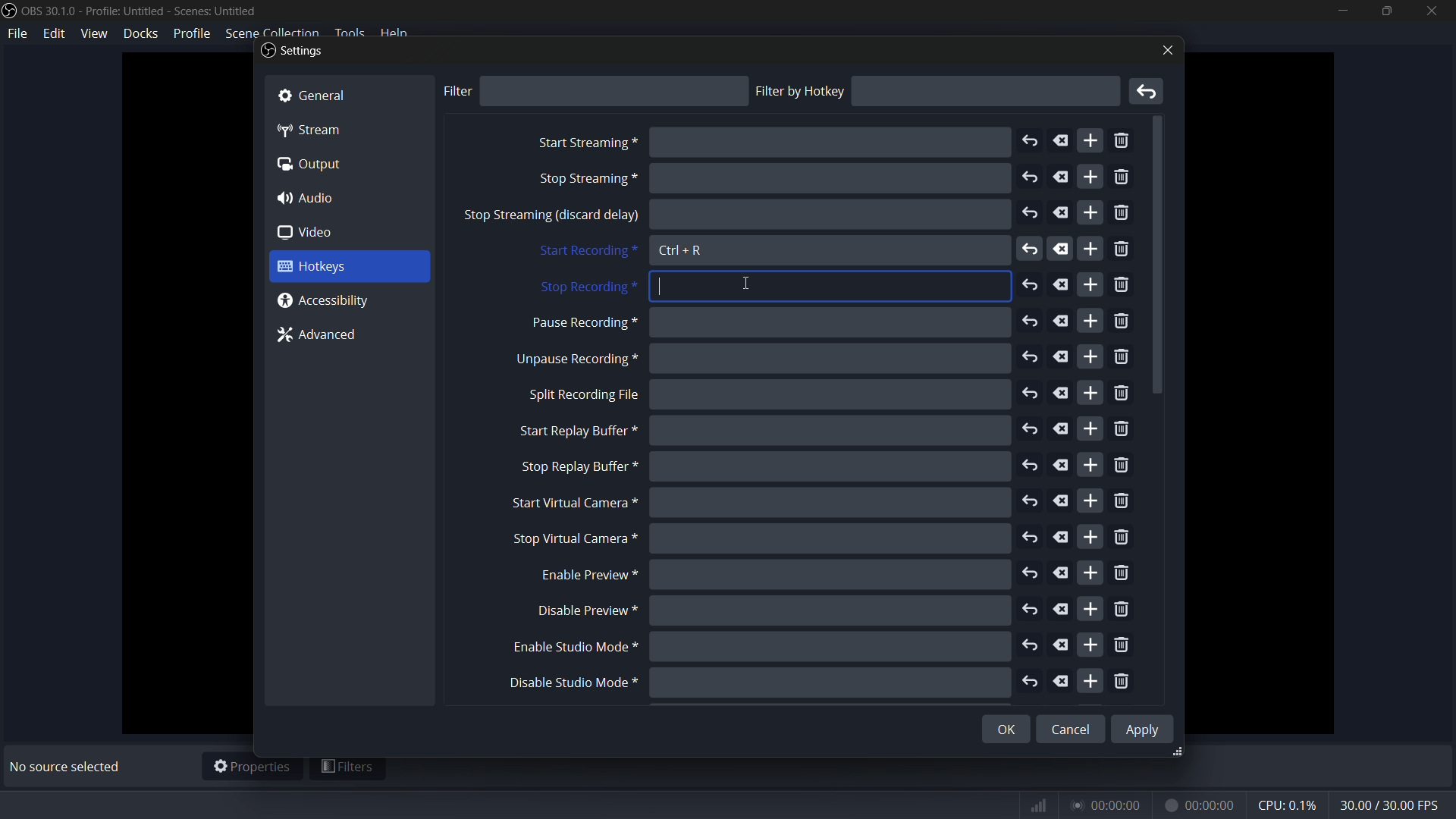  I want to click on add more, so click(1090, 177).